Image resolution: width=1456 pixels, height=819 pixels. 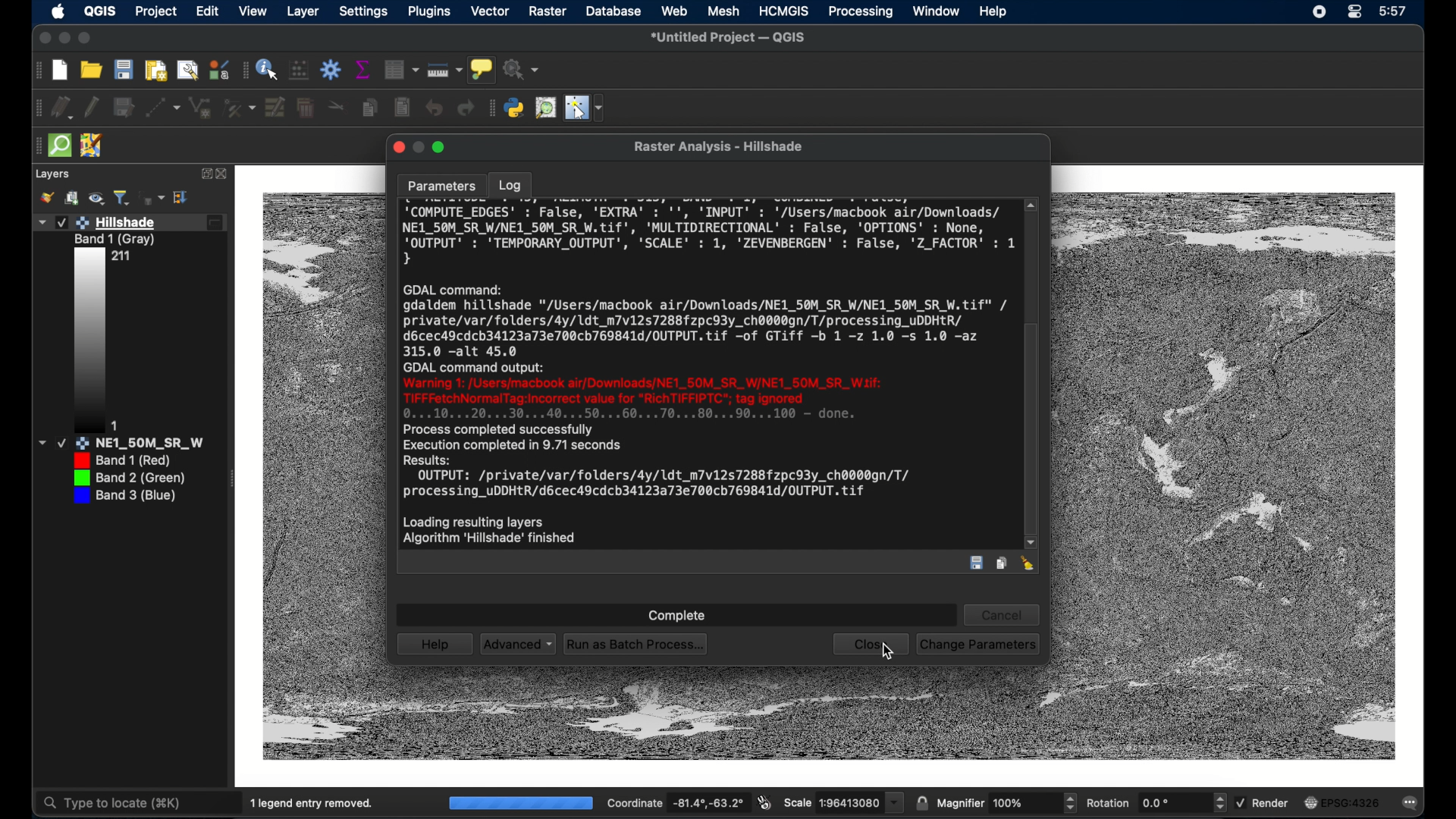 I want to click on modify attributes, so click(x=275, y=108).